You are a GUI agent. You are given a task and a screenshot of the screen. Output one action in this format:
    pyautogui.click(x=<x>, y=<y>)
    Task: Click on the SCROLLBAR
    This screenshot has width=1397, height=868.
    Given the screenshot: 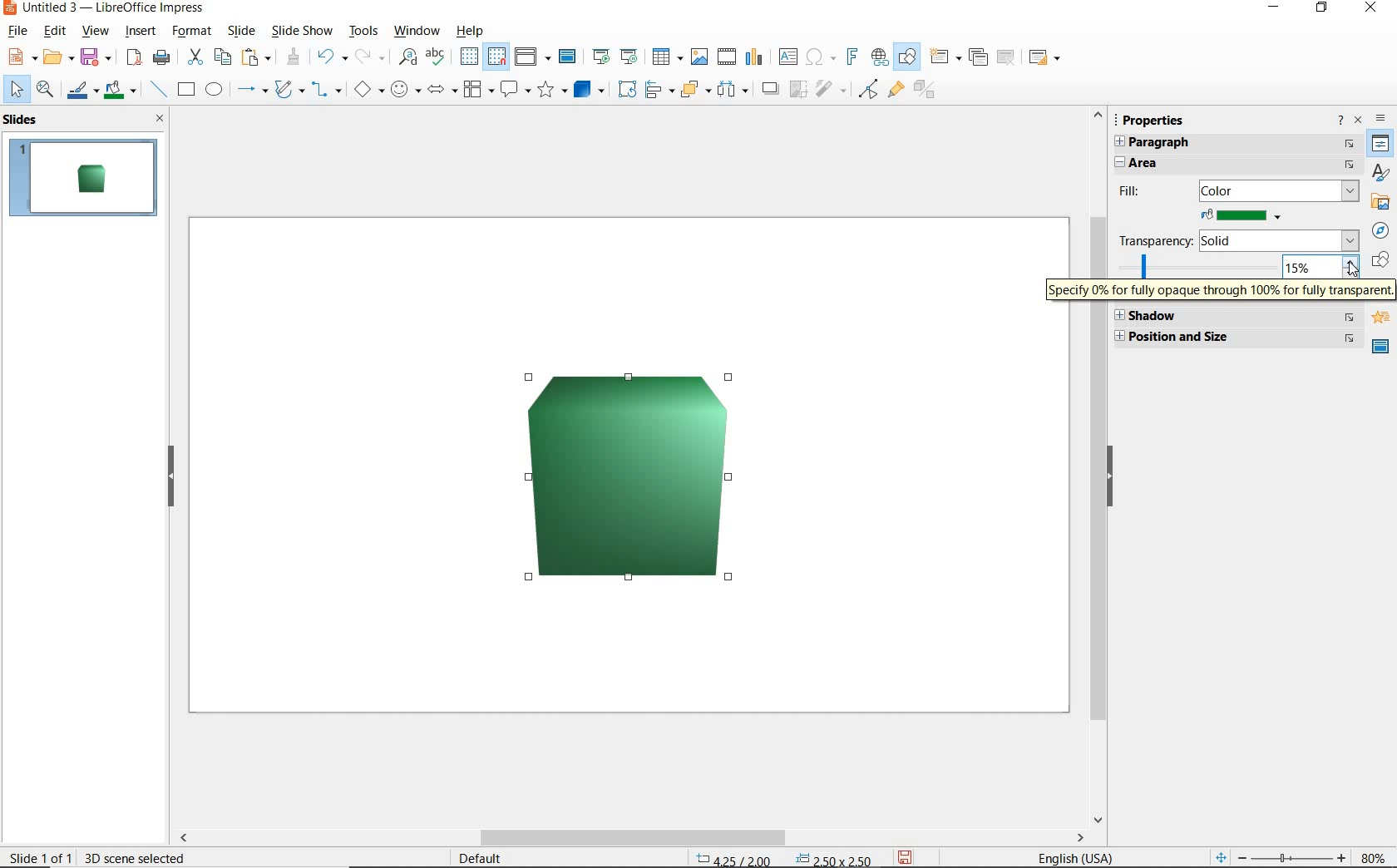 What is the action you would take?
    pyautogui.click(x=753, y=839)
    